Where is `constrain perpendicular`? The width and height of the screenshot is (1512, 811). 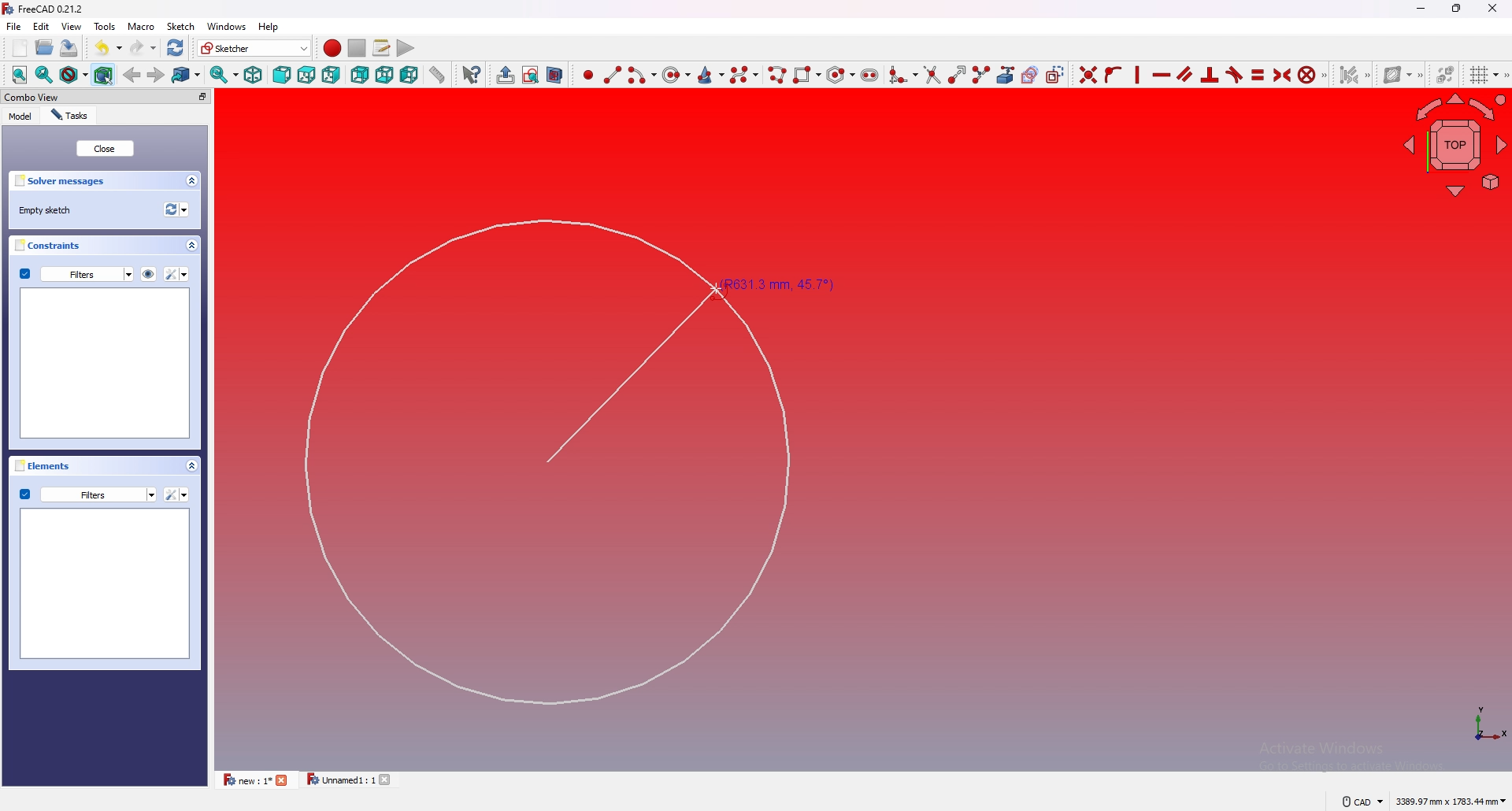 constrain perpendicular is located at coordinates (1210, 75).